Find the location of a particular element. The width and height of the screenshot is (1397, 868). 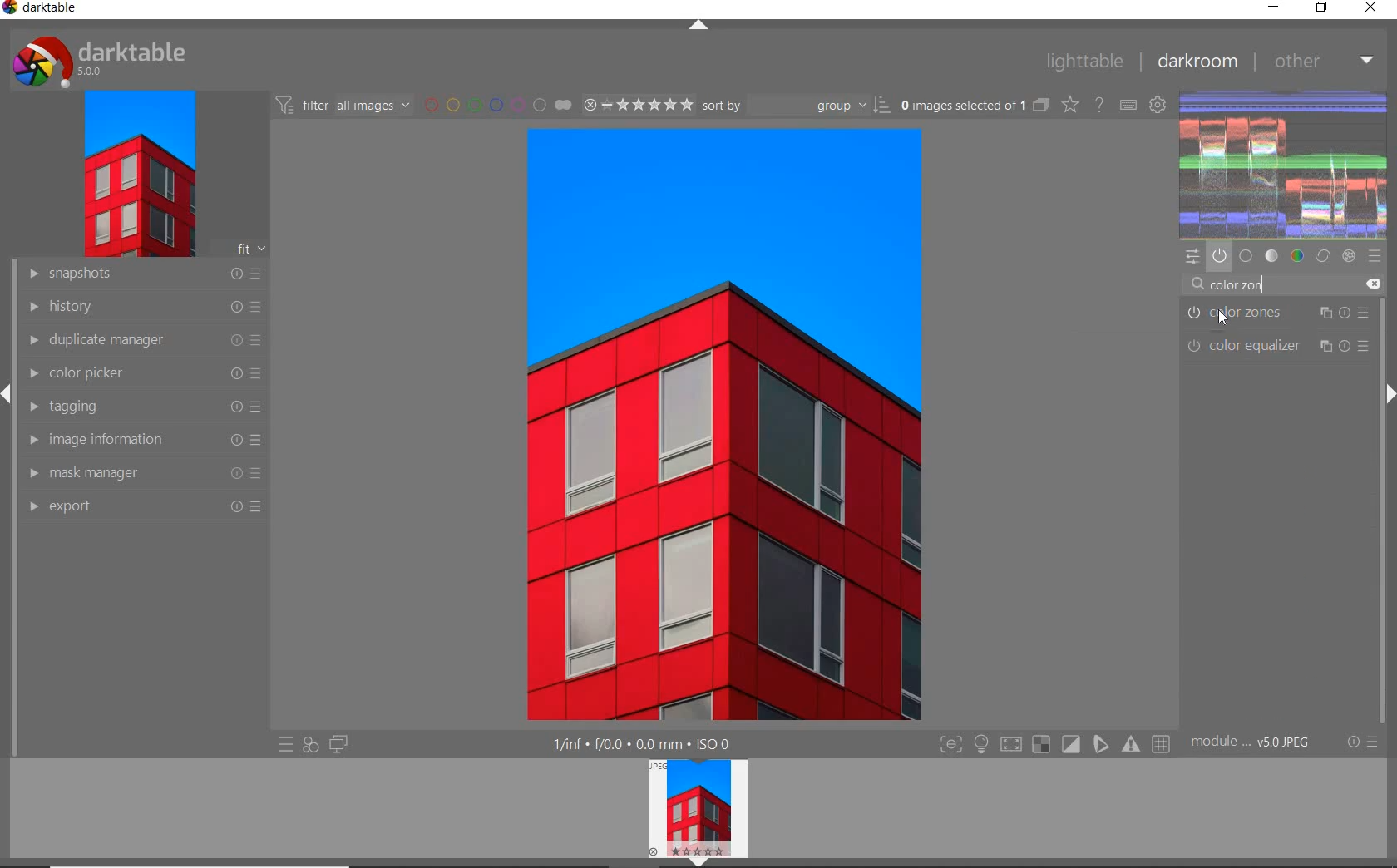

module order is located at coordinates (1255, 743).